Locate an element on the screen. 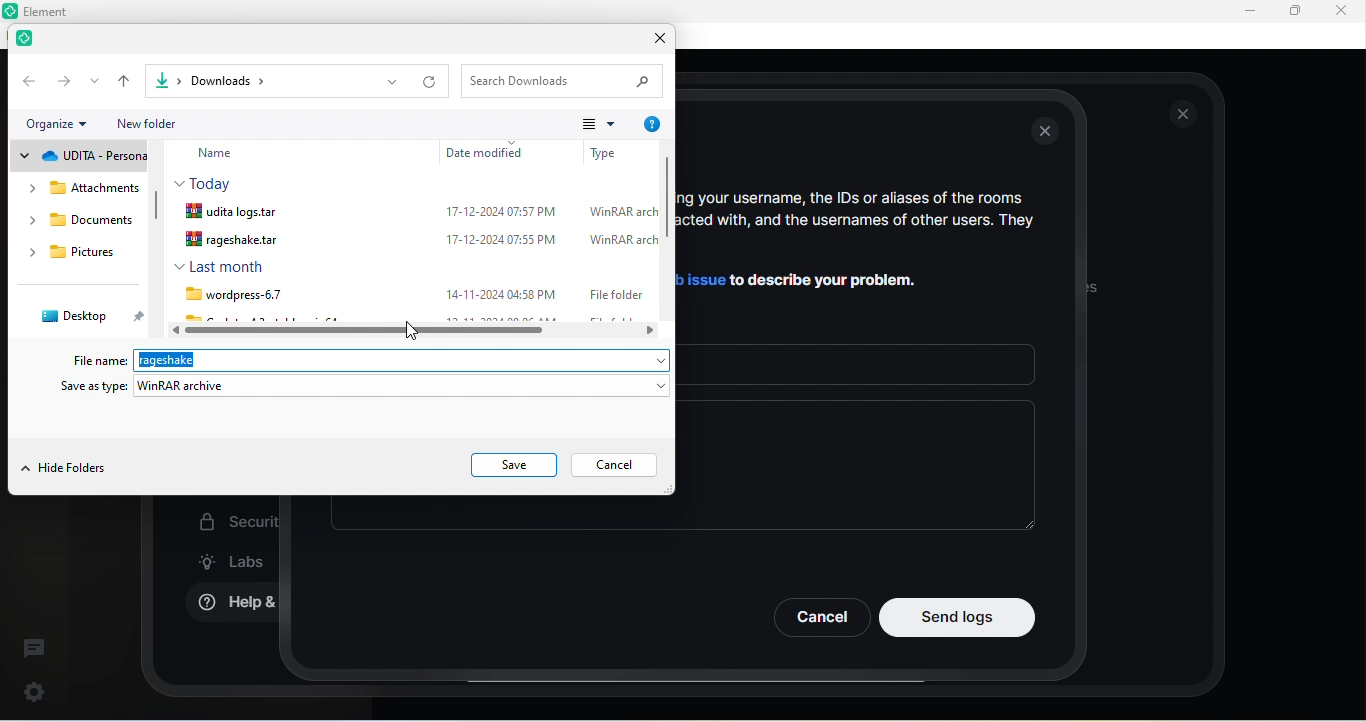  attachments is located at coordinates (73, 188).